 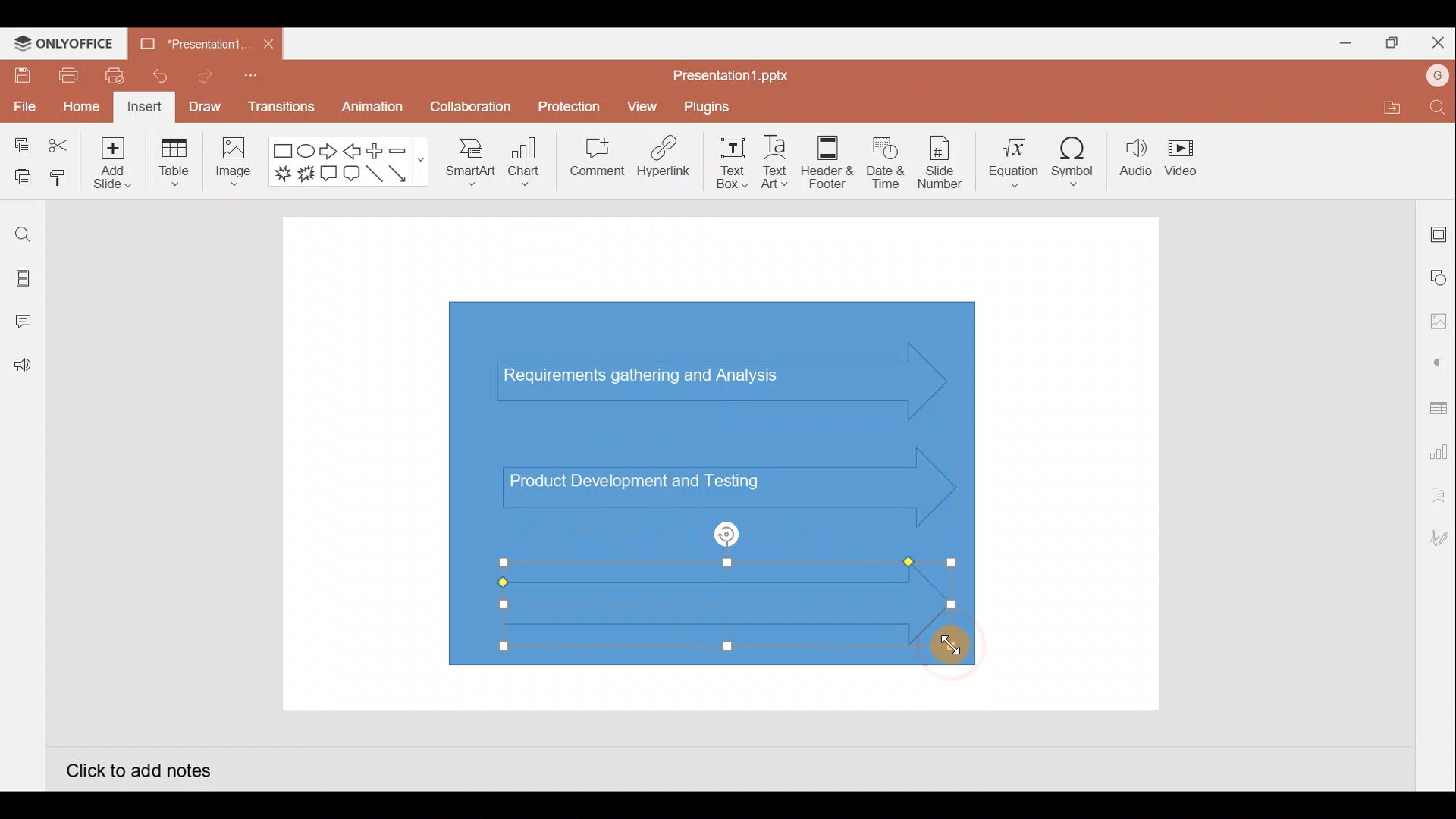 What do you see at coordinates (256, 80) in the screenshot?
I see `Customize quick access toolbar` at bounding box center [256, 80].